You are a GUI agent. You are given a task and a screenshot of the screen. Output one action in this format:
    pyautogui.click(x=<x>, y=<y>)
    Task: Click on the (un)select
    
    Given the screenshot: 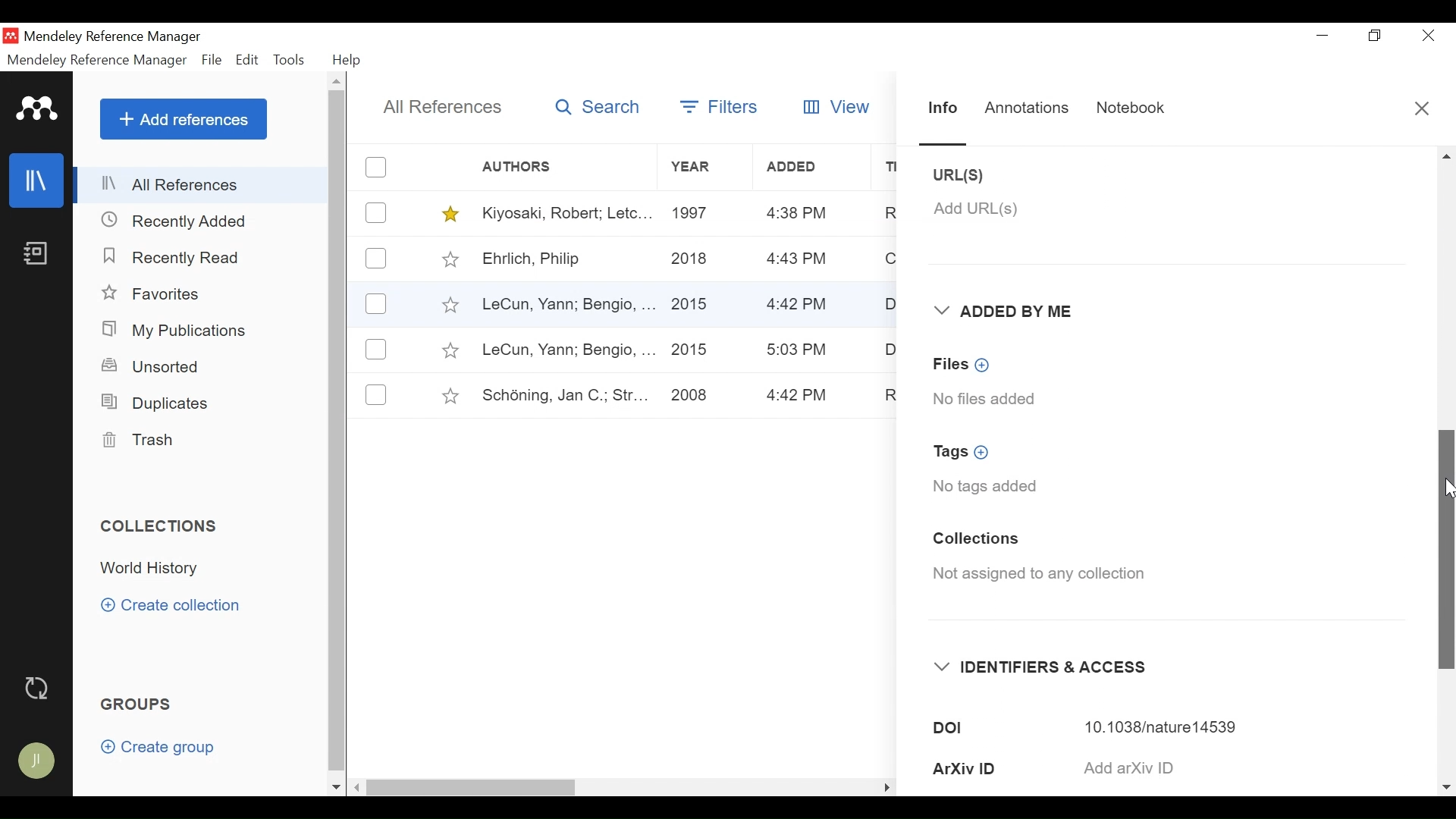 What is the action you would take?
    pyautogui.click(x=375, y=349)
    